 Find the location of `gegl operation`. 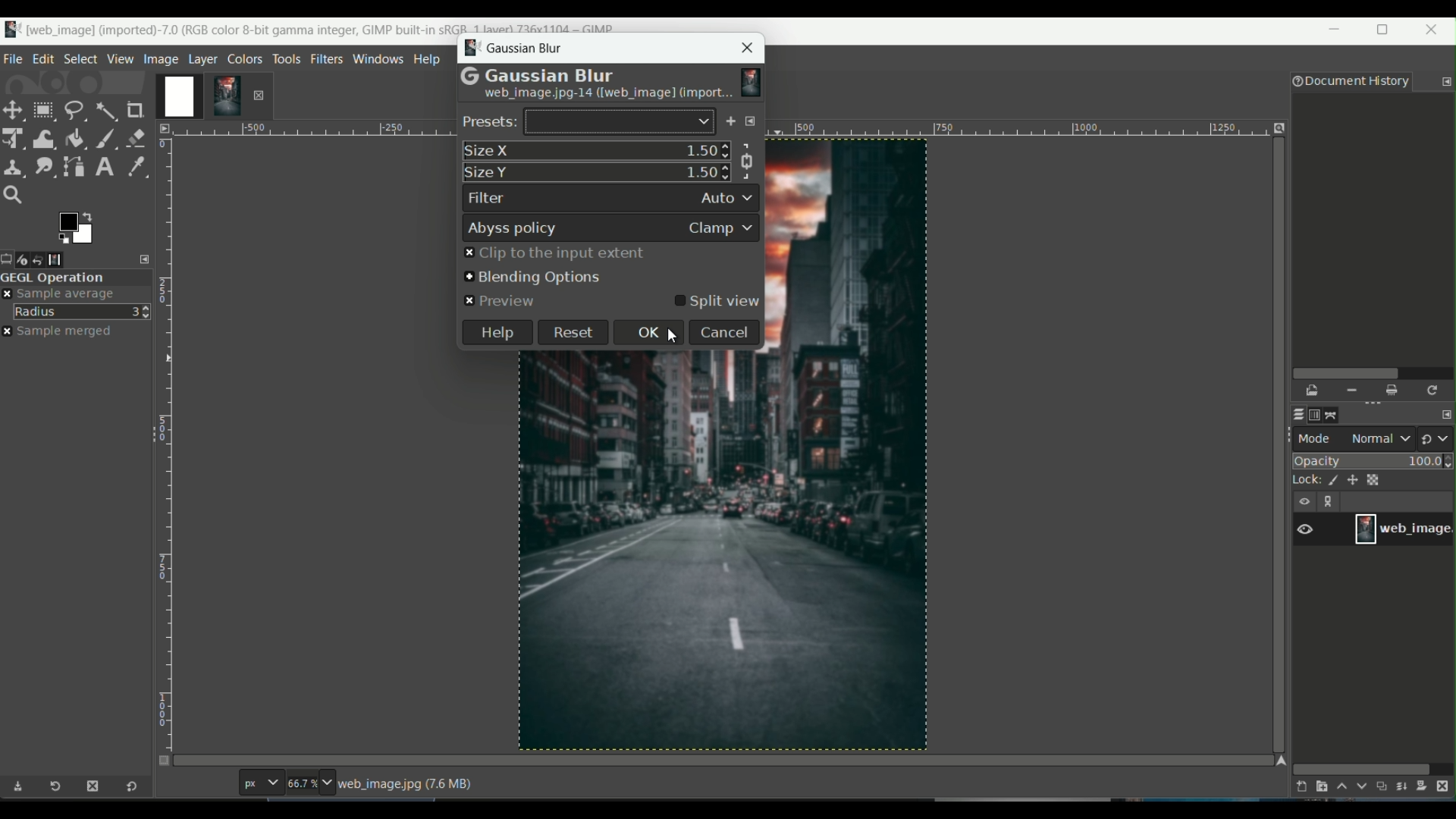

gegl operation is located at coordinates (76, 278).